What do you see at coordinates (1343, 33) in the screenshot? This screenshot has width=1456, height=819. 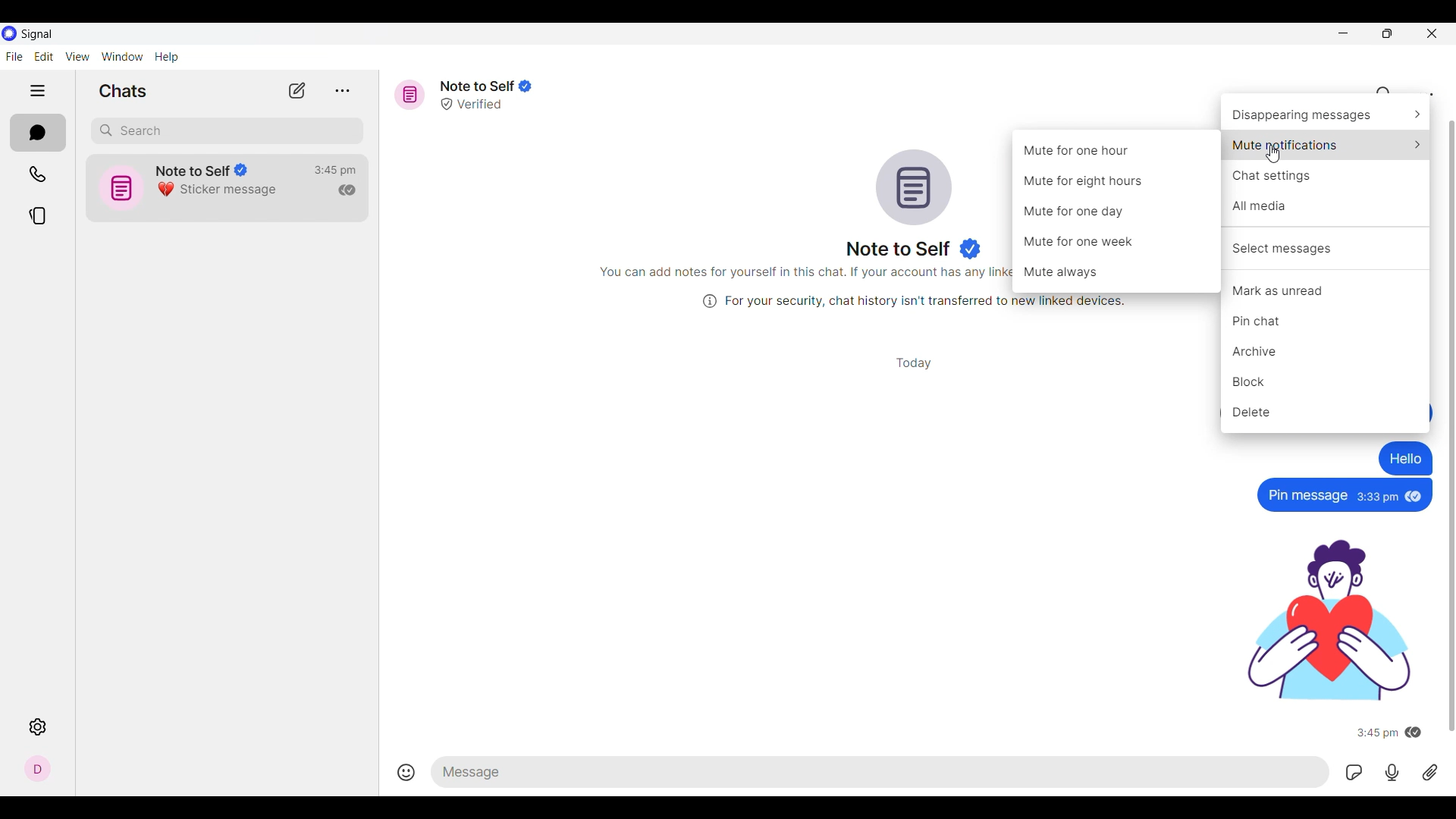 I see `Minimize` at bounding box center [1343, 33].